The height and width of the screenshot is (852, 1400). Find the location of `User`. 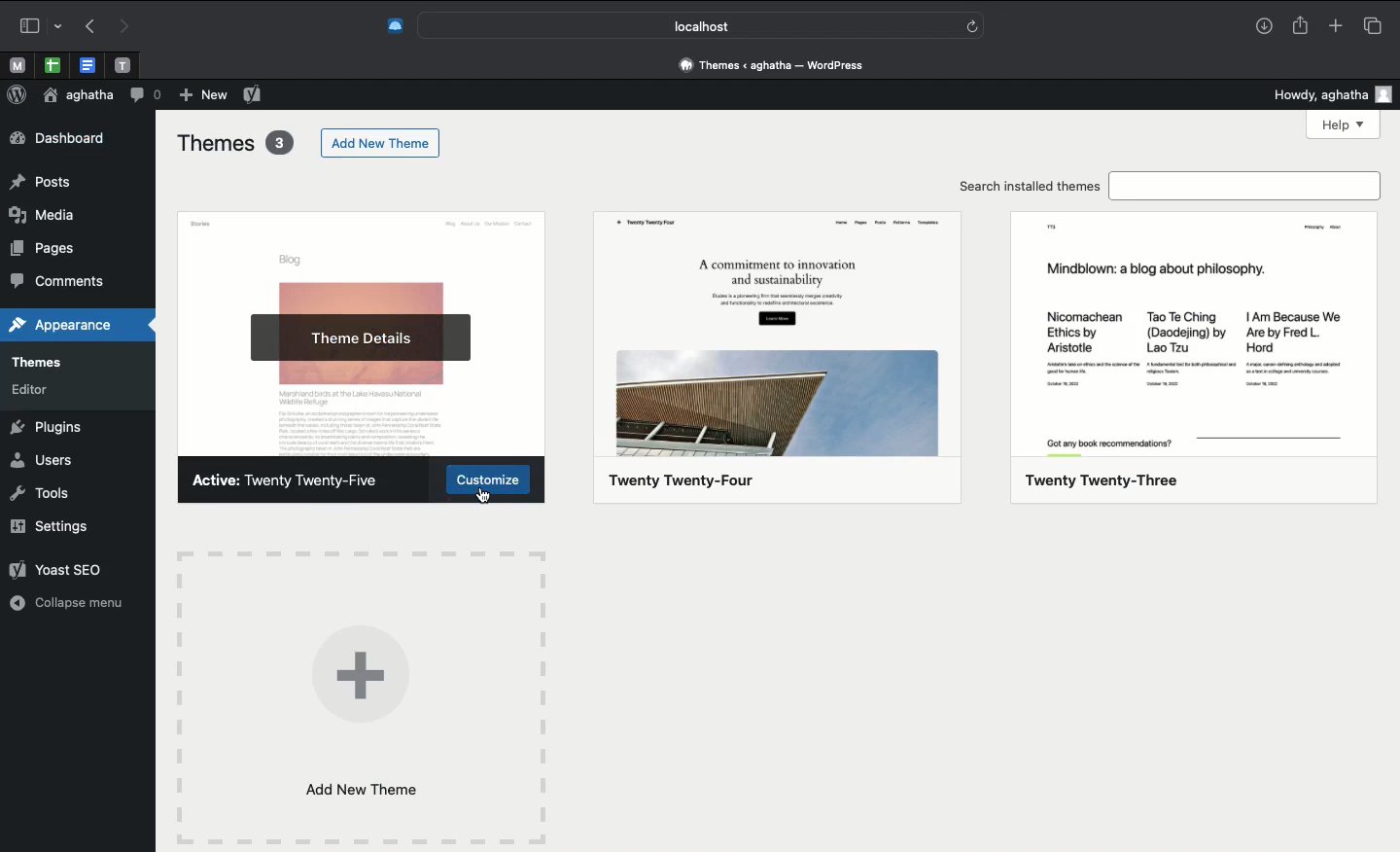

User is located at coordinates (75, 96).